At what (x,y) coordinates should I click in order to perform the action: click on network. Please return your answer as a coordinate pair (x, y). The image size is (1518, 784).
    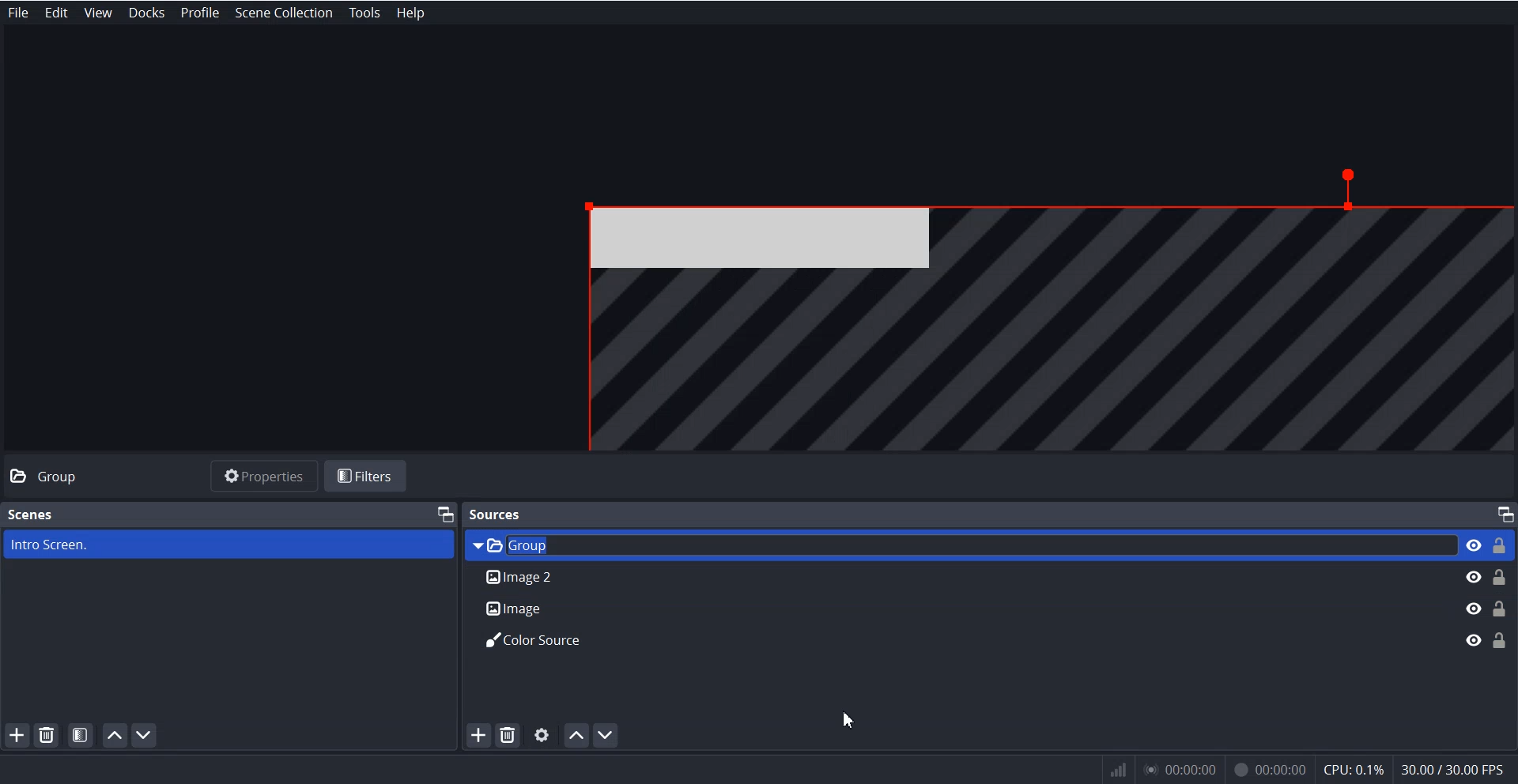
    Looking at the image, I should click on (1116, 770).